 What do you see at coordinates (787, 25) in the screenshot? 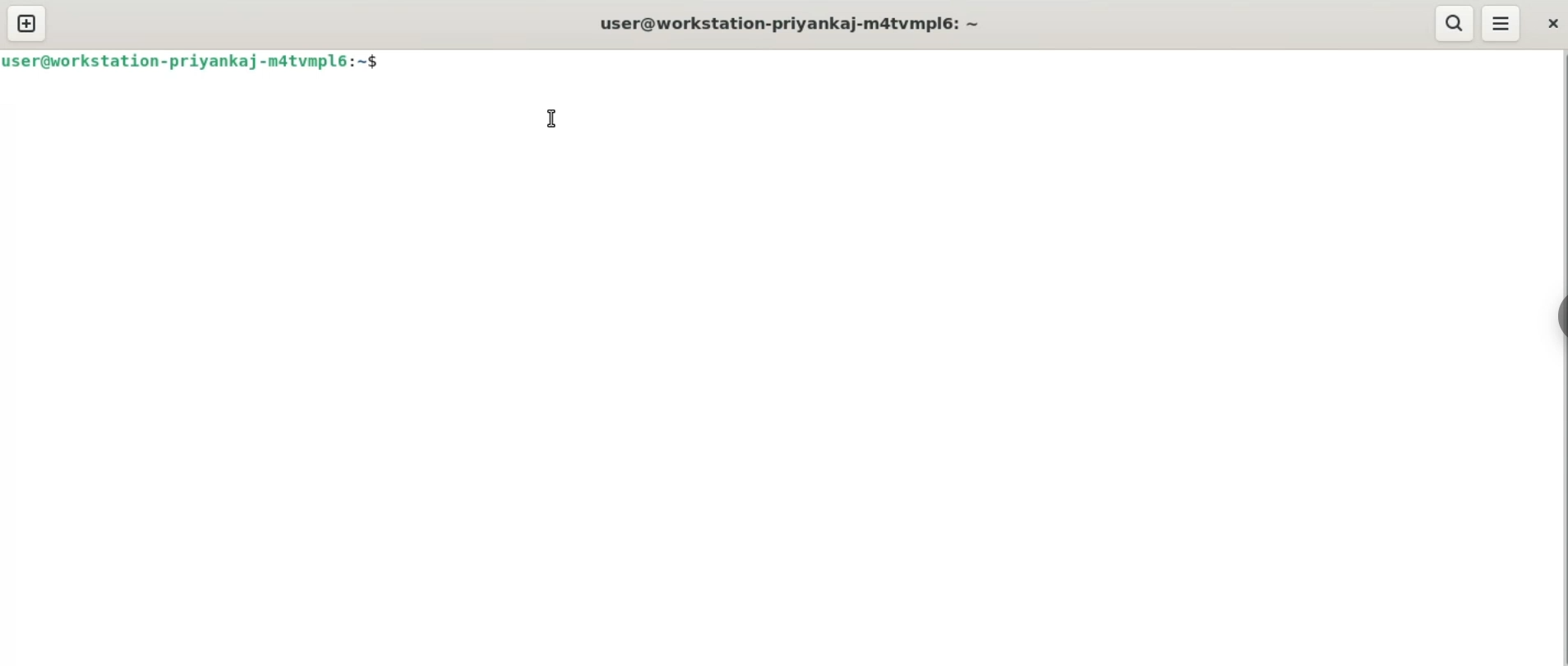
I see `user@workstation-priyankaj-m4tvmpl6: ~` at bounding box center [787, 25].